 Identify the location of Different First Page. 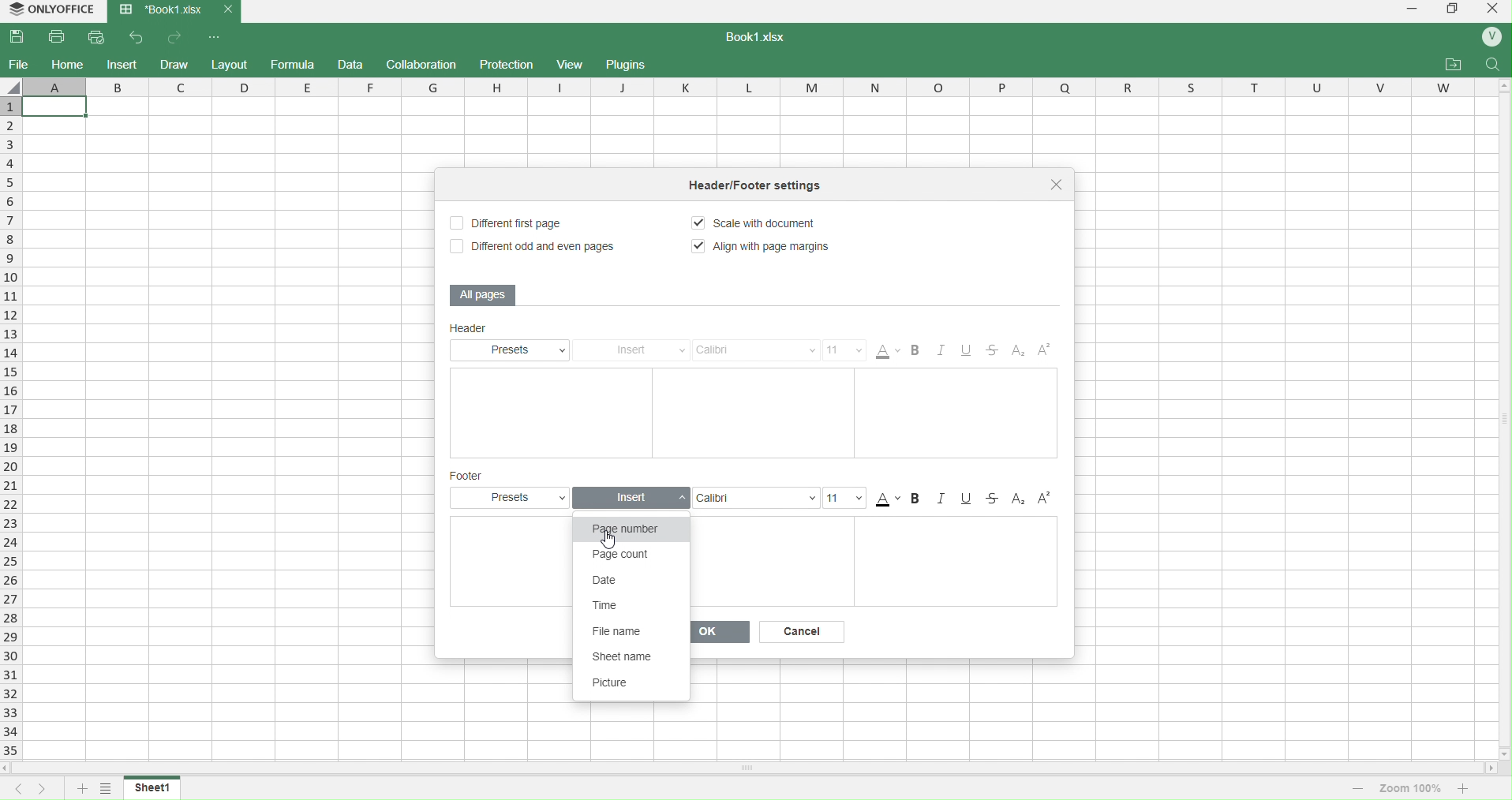
(515, 222).